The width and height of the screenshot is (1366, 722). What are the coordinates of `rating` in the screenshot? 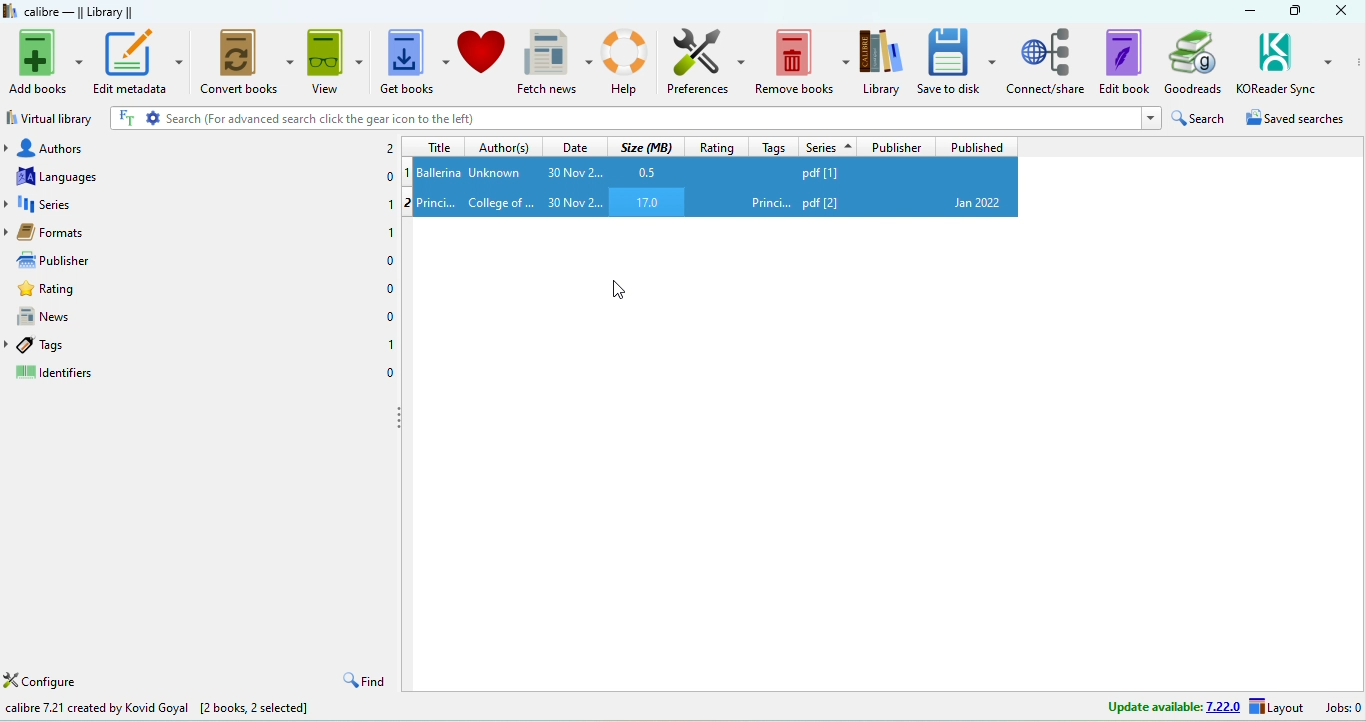 It's located at (79, 287).